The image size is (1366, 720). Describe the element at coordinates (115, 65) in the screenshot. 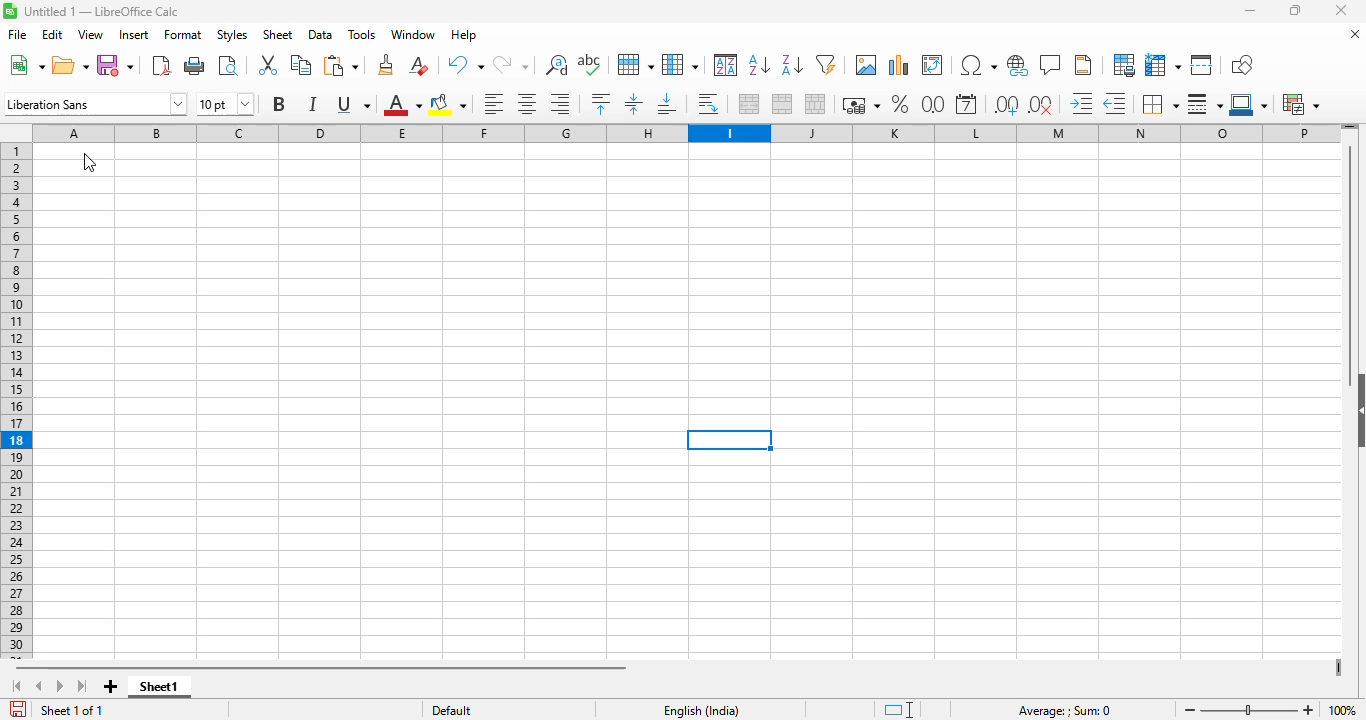

I see `save` at that location.